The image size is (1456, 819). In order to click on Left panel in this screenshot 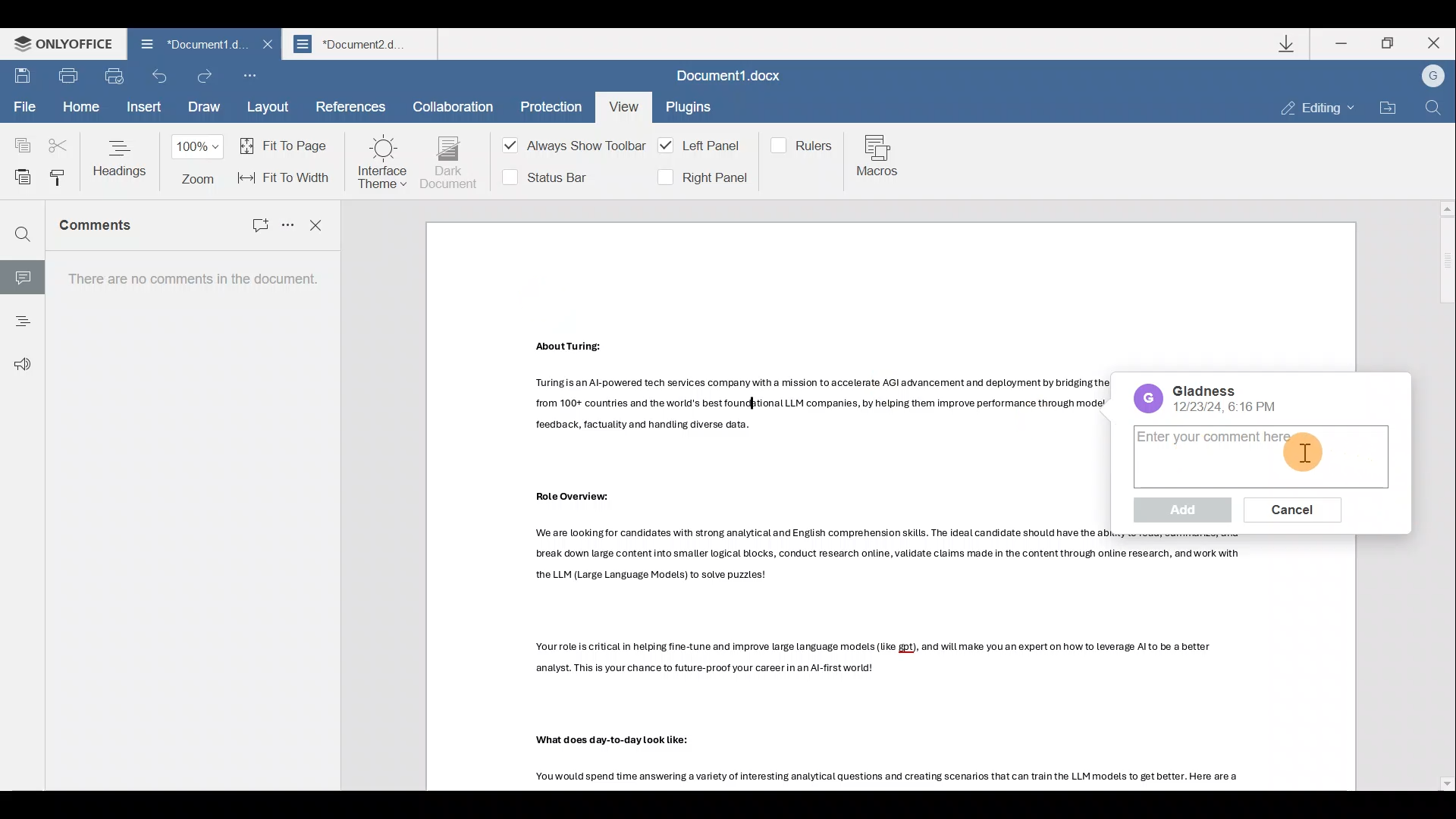, I will do `click(702, 146)`.